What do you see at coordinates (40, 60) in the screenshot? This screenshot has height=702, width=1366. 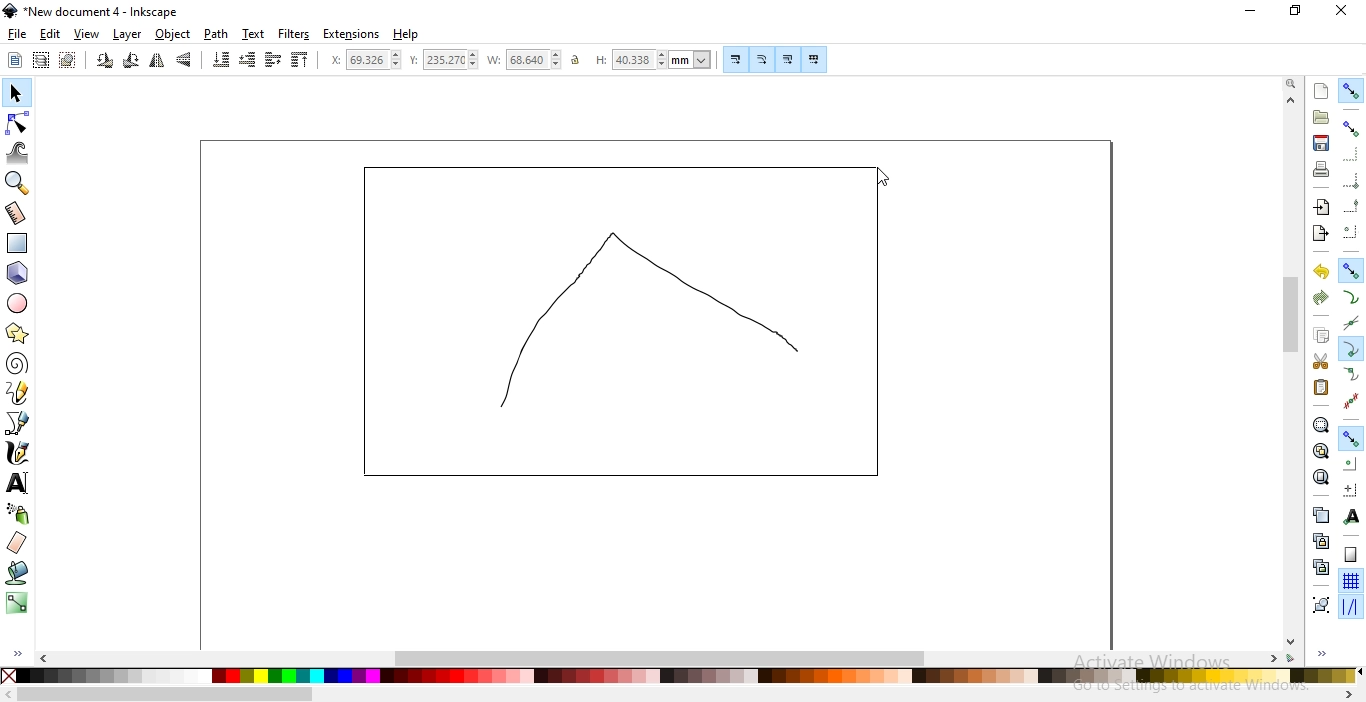 I see `select all objects in visible a nd unloc` at bounding box center [40, 60].